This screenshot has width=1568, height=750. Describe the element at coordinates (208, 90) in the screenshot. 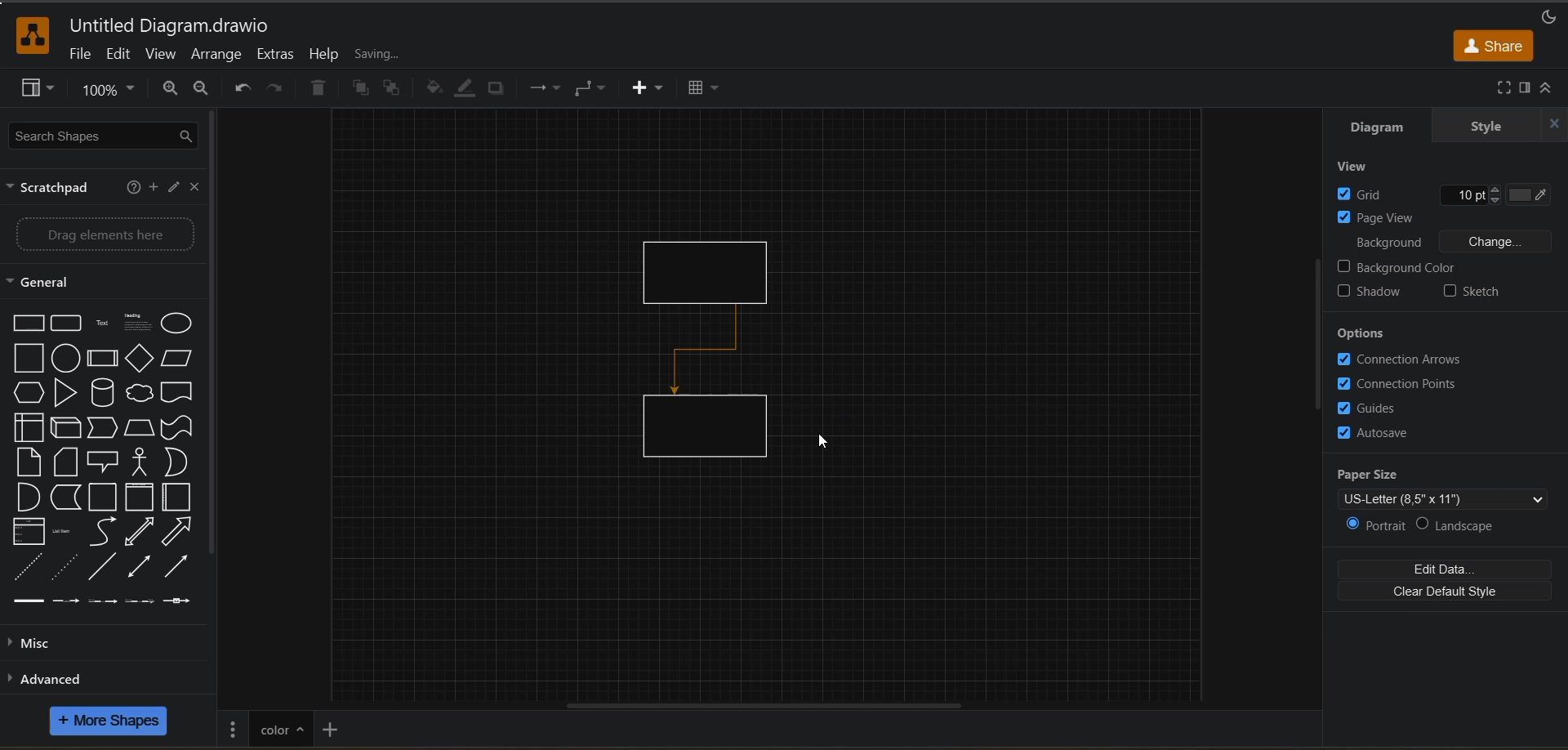

I see `zoom out` at that location.